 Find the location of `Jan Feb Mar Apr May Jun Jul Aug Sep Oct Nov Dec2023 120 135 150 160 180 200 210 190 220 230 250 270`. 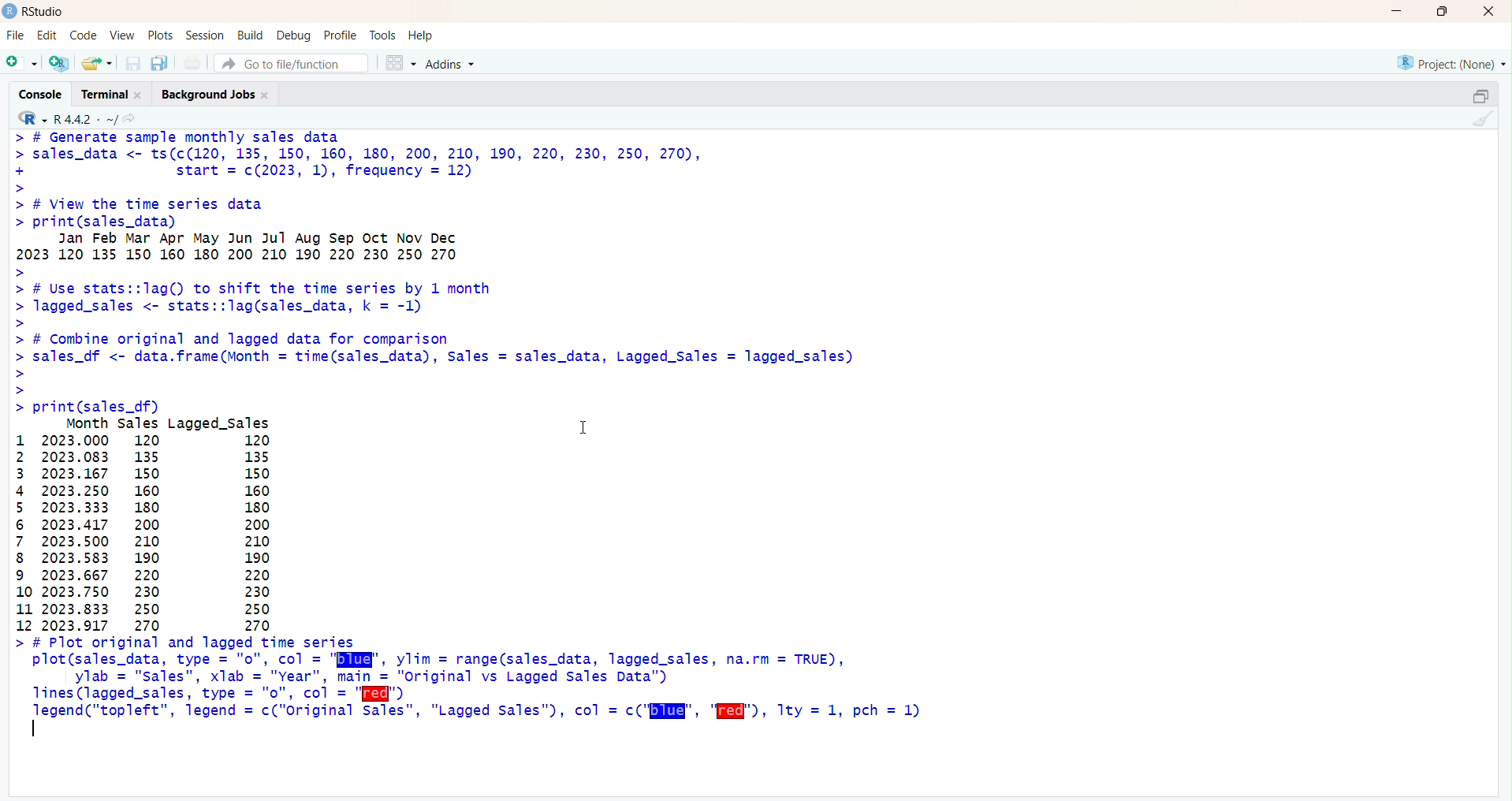

Jan Feb Mar Apr May Jun Jul Aug Sep Oct Nov Dec2023 120 135 150 160 180 200 210 190 220 230 250 270 is located at coordinates (393, 248).